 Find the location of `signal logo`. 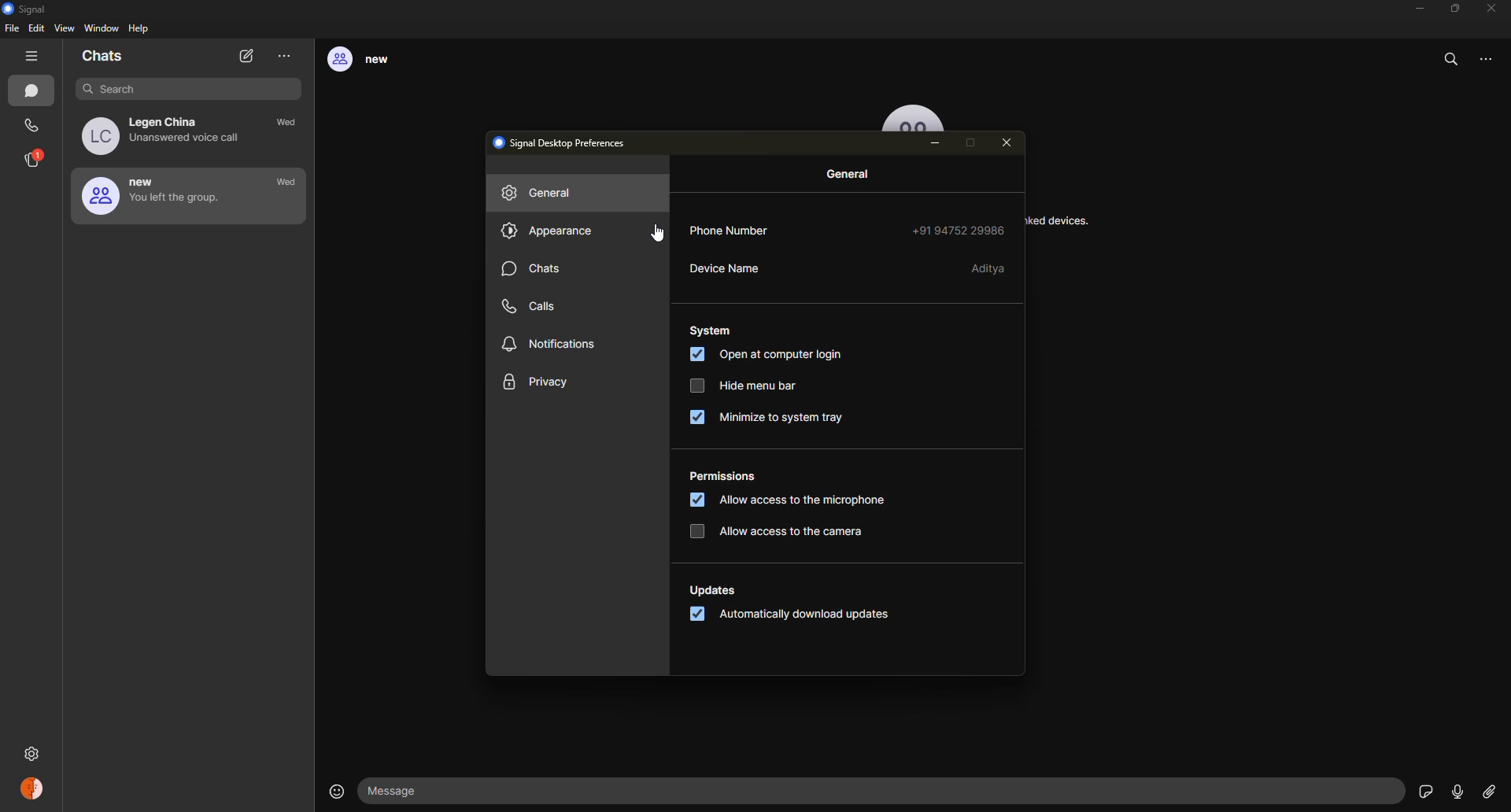

signal logo is located at coordinates (29, 9).